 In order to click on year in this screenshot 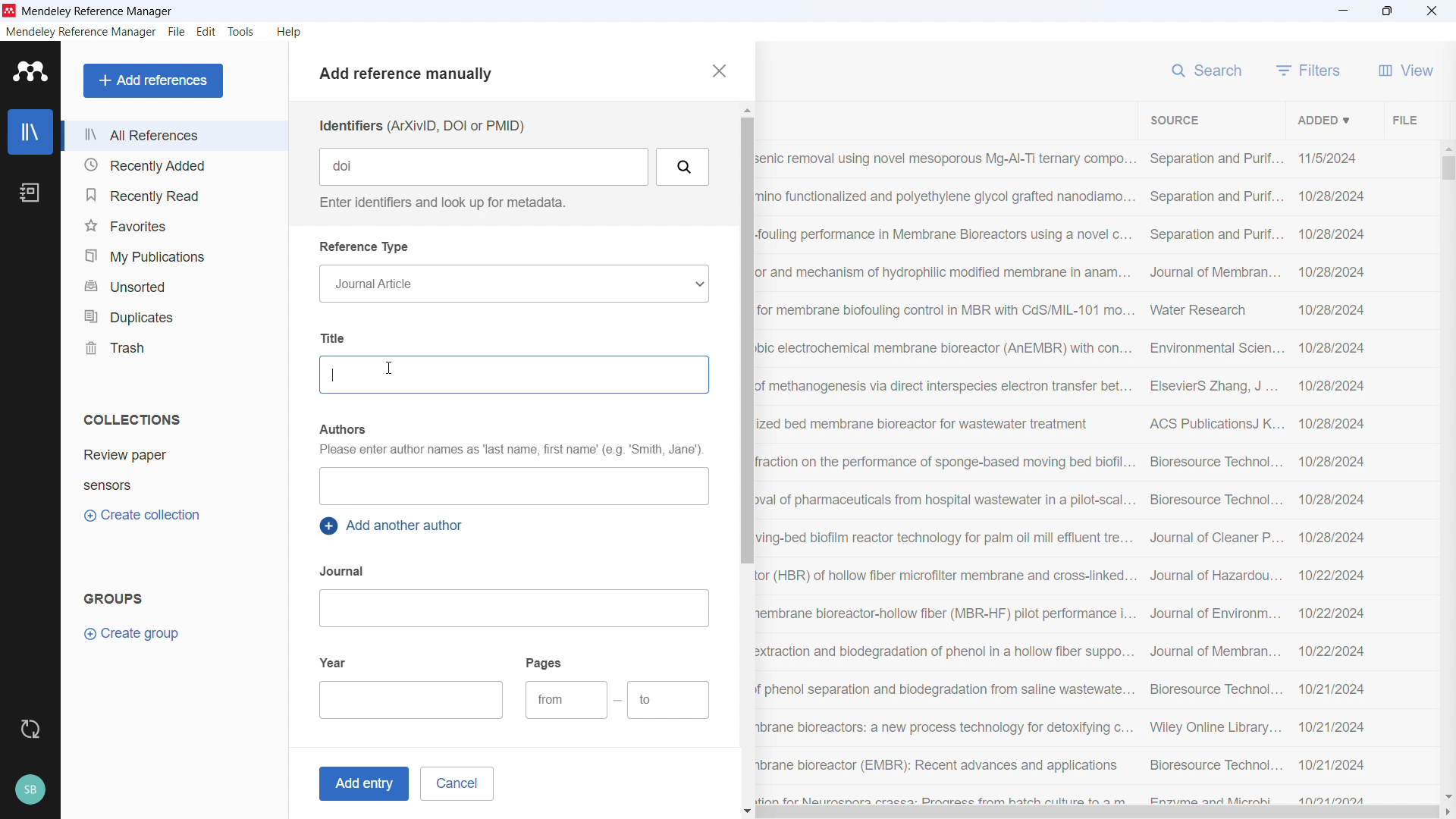, I will do `click(334, 661)`.